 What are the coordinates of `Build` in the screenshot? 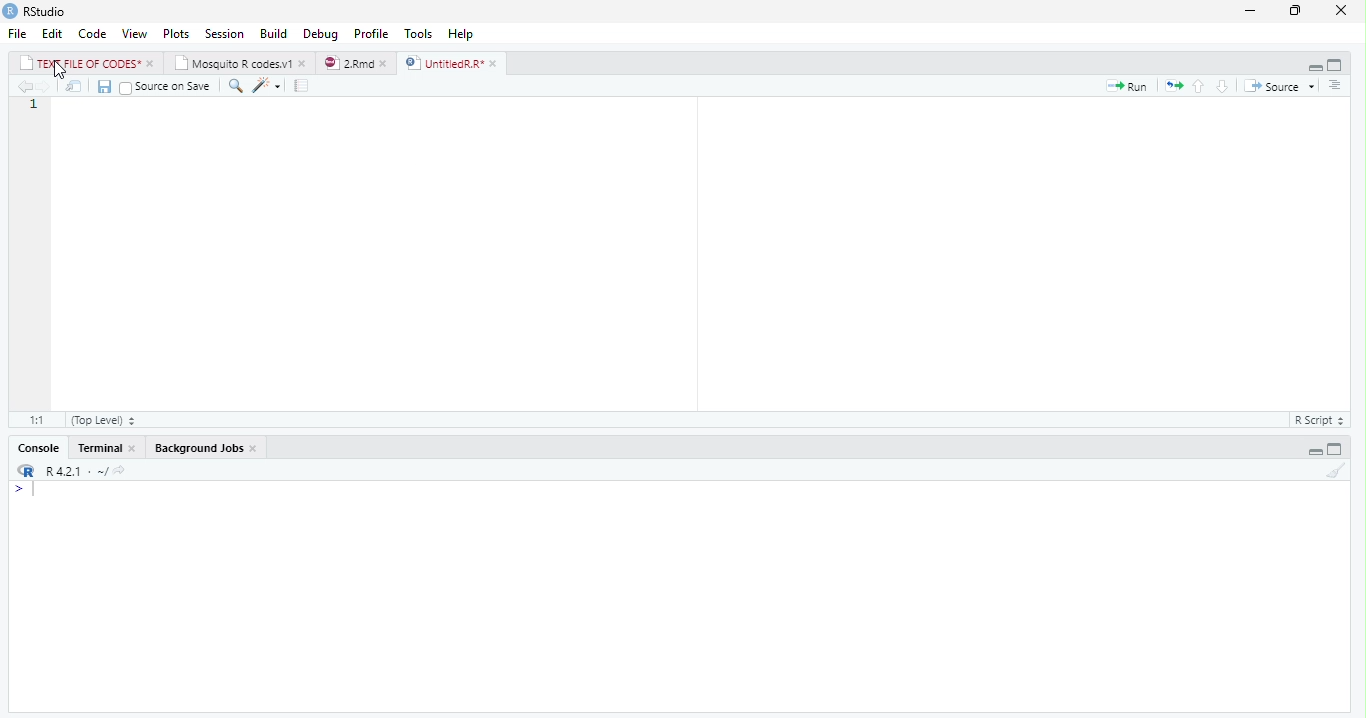 It's located at (273, 33).